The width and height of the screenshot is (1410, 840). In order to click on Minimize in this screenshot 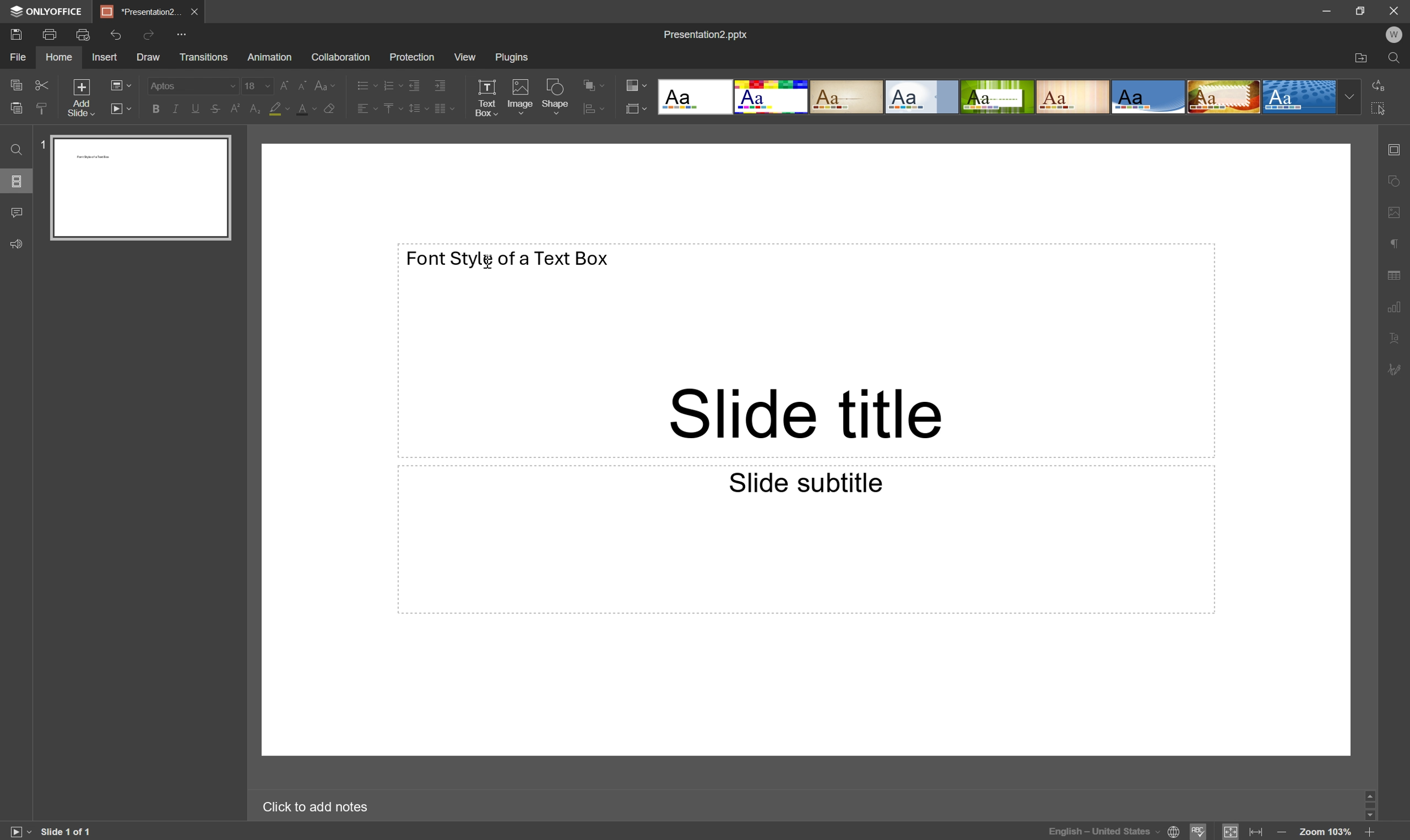, I will do `click(1327, 8)`.